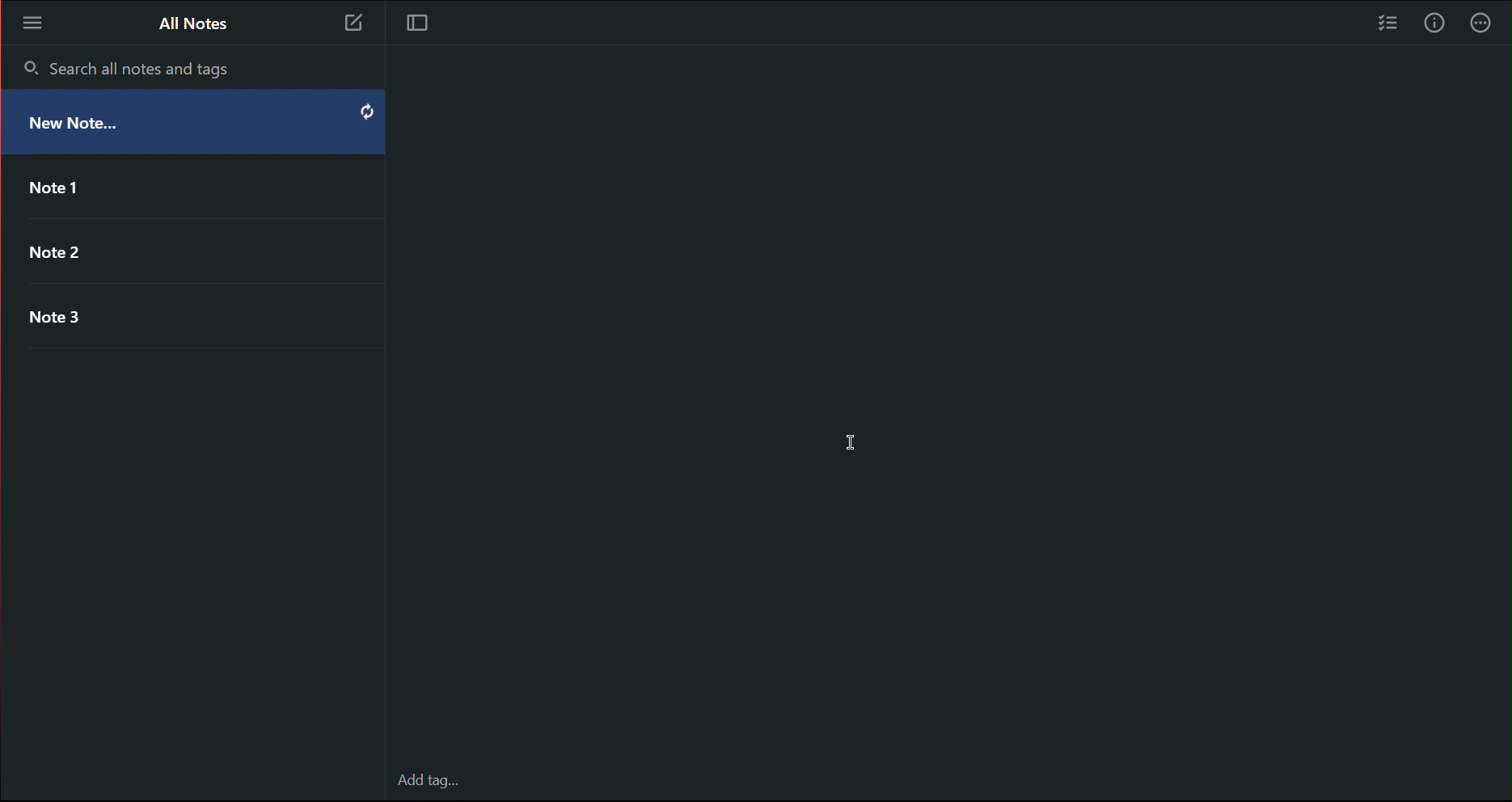  Describe the element at coordinates (186, 313) in the screenshot. I see `Note 3` at that location.